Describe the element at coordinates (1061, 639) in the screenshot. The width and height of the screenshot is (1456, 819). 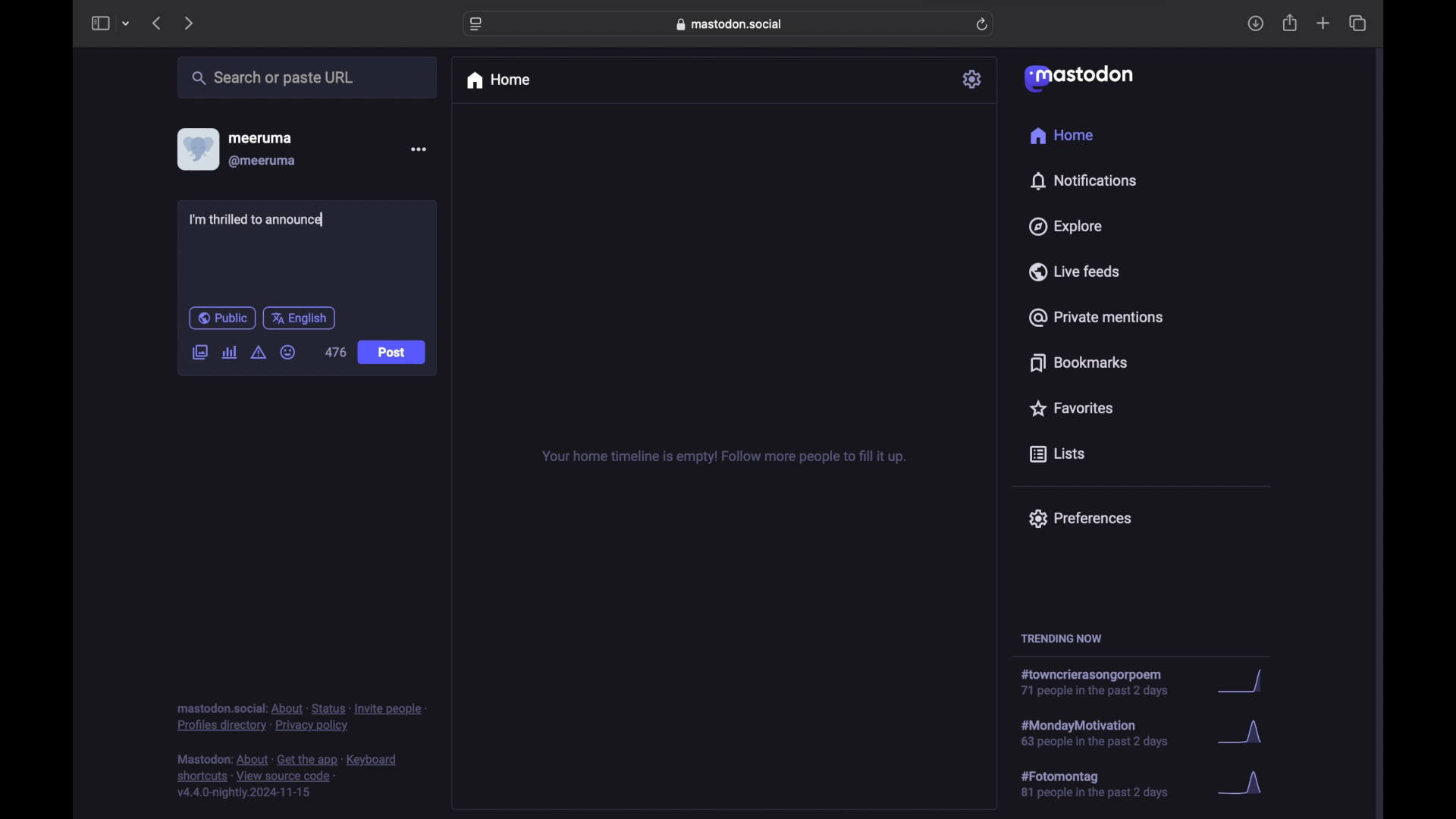
I see `trending now` at that location.